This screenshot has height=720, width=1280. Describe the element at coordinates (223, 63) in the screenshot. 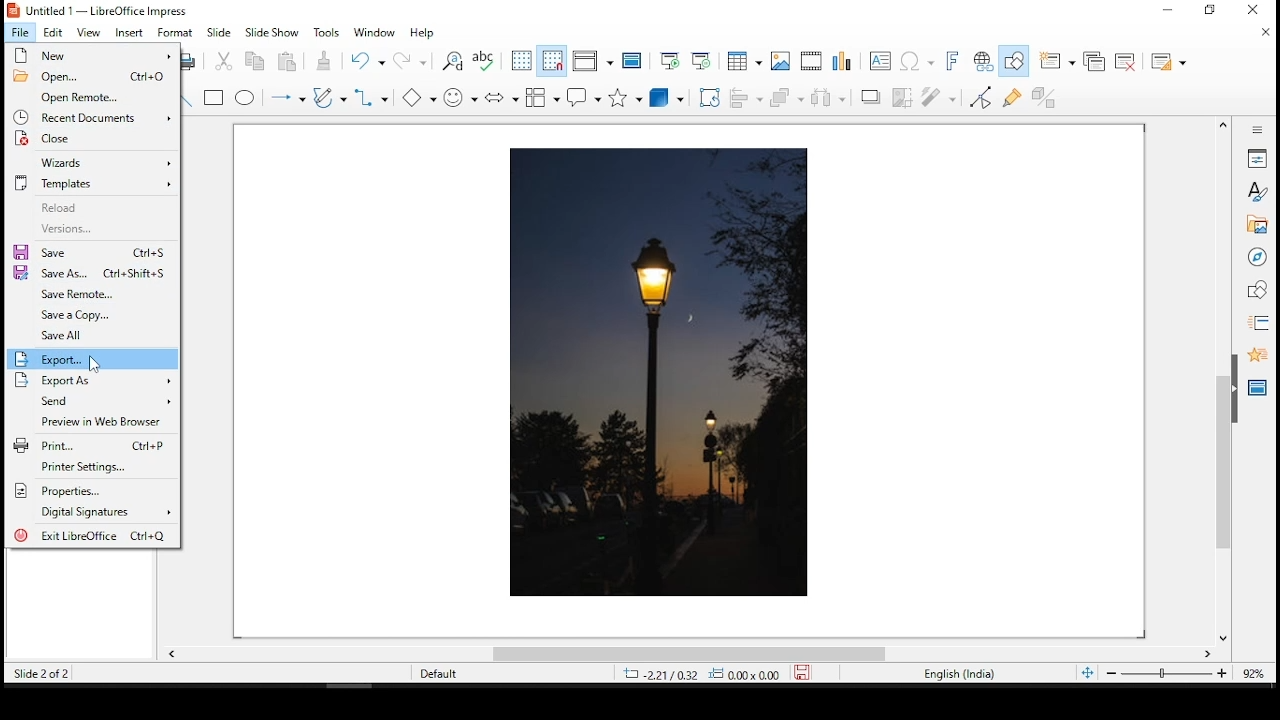

I see `cut` at that location.